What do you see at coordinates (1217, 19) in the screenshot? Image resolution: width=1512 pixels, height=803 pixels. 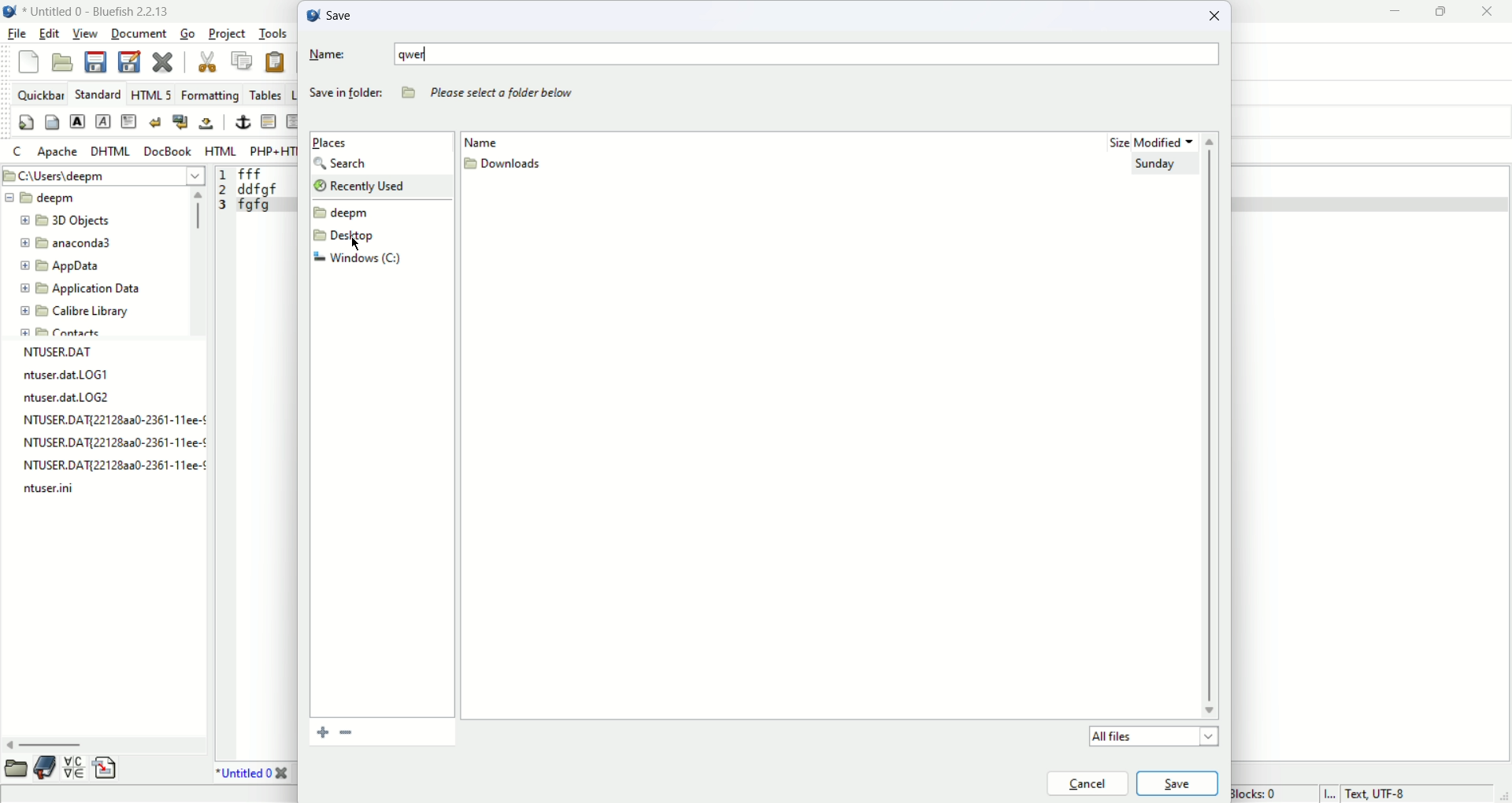 I see `close` at bounding box center [1217, 19].